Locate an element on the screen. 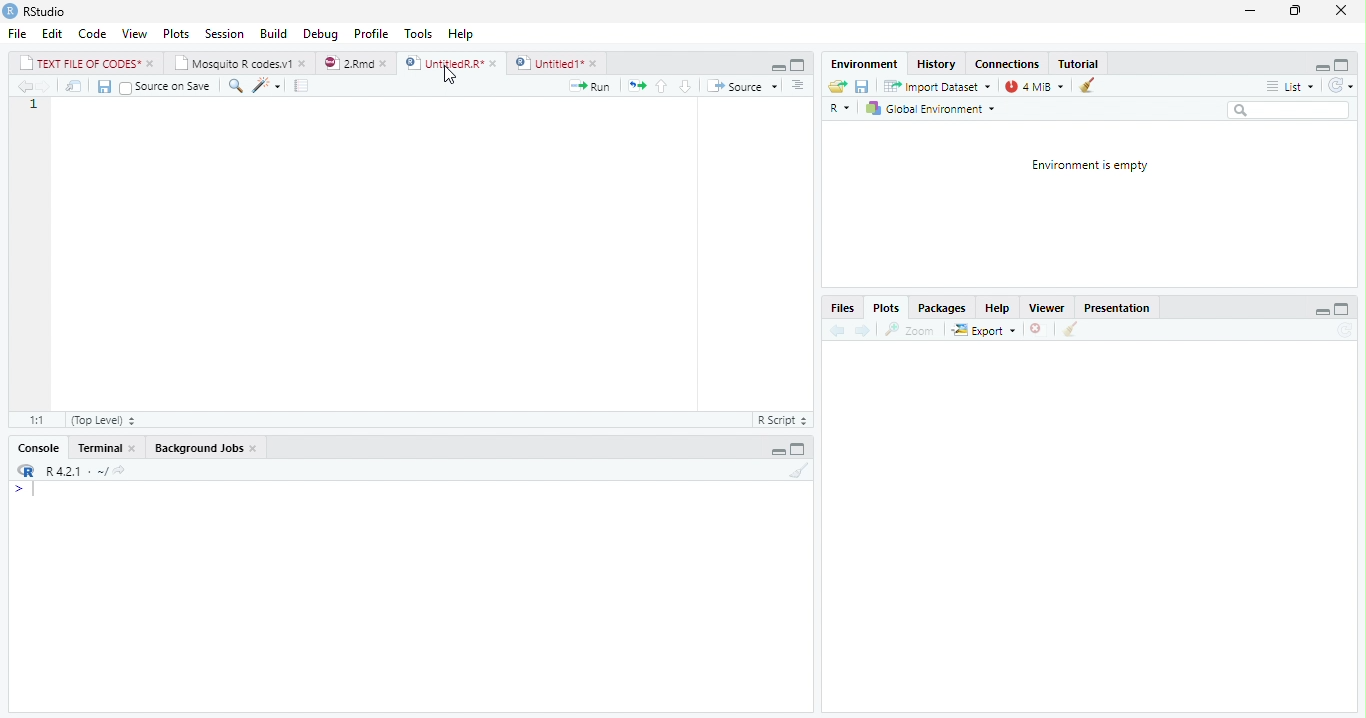 The width and height of the screenshot is (1366, 718). save is located at coordinates (864, 87).